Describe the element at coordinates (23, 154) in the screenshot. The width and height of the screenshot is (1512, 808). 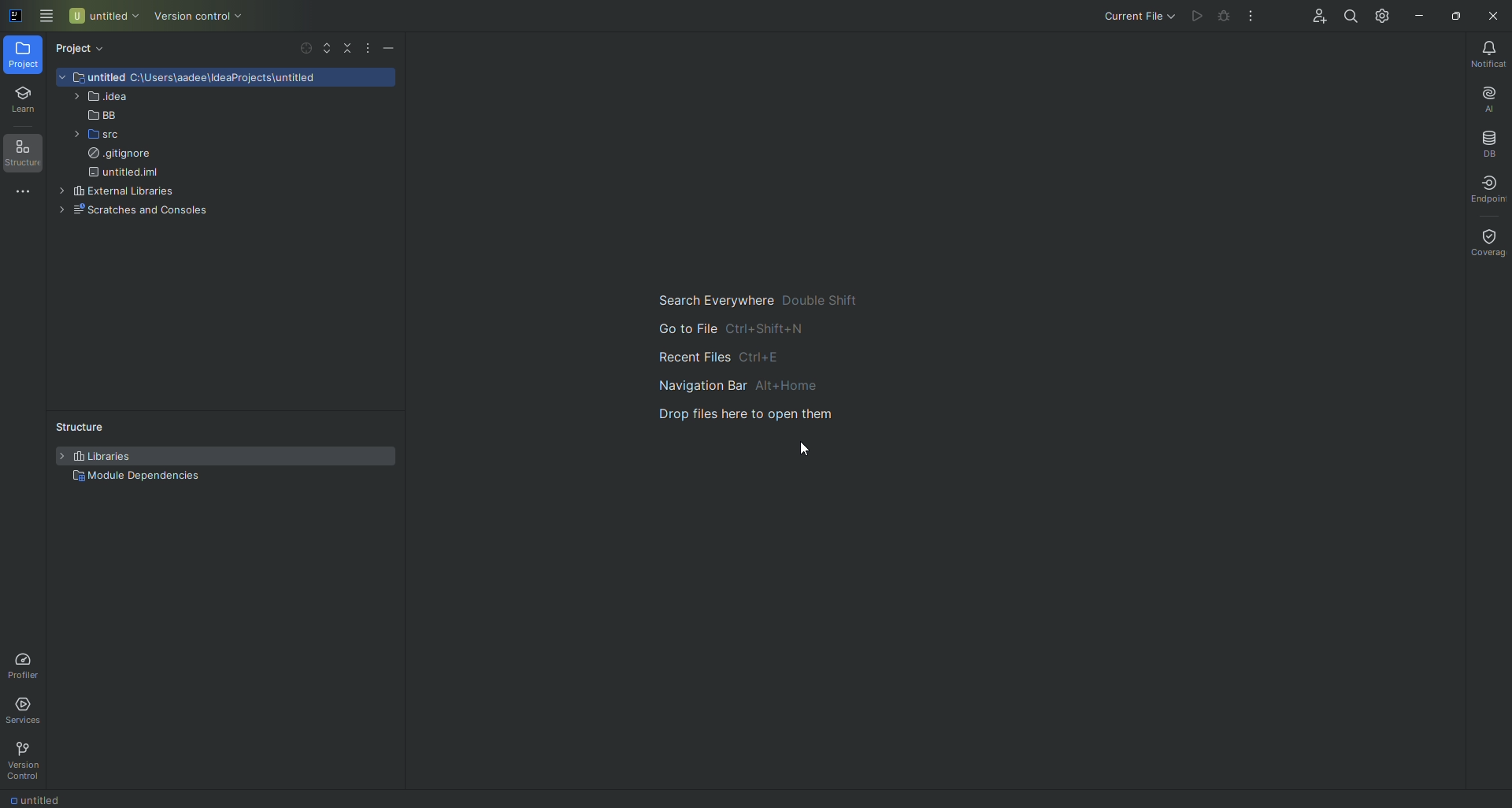
I see `Structure` at that location.